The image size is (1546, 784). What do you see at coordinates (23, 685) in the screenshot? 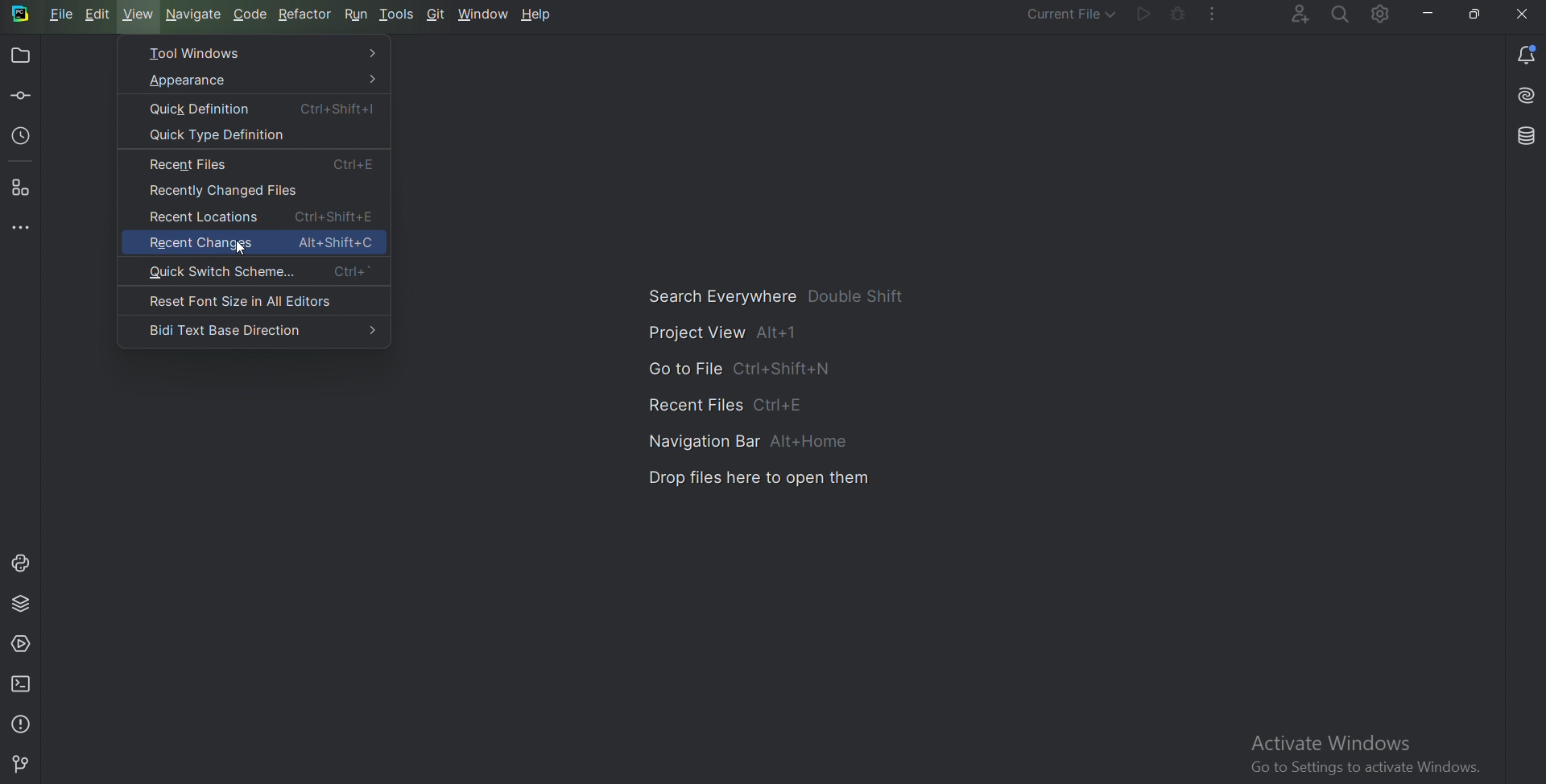
I see `Terminal` at bounding box center [23, 685].